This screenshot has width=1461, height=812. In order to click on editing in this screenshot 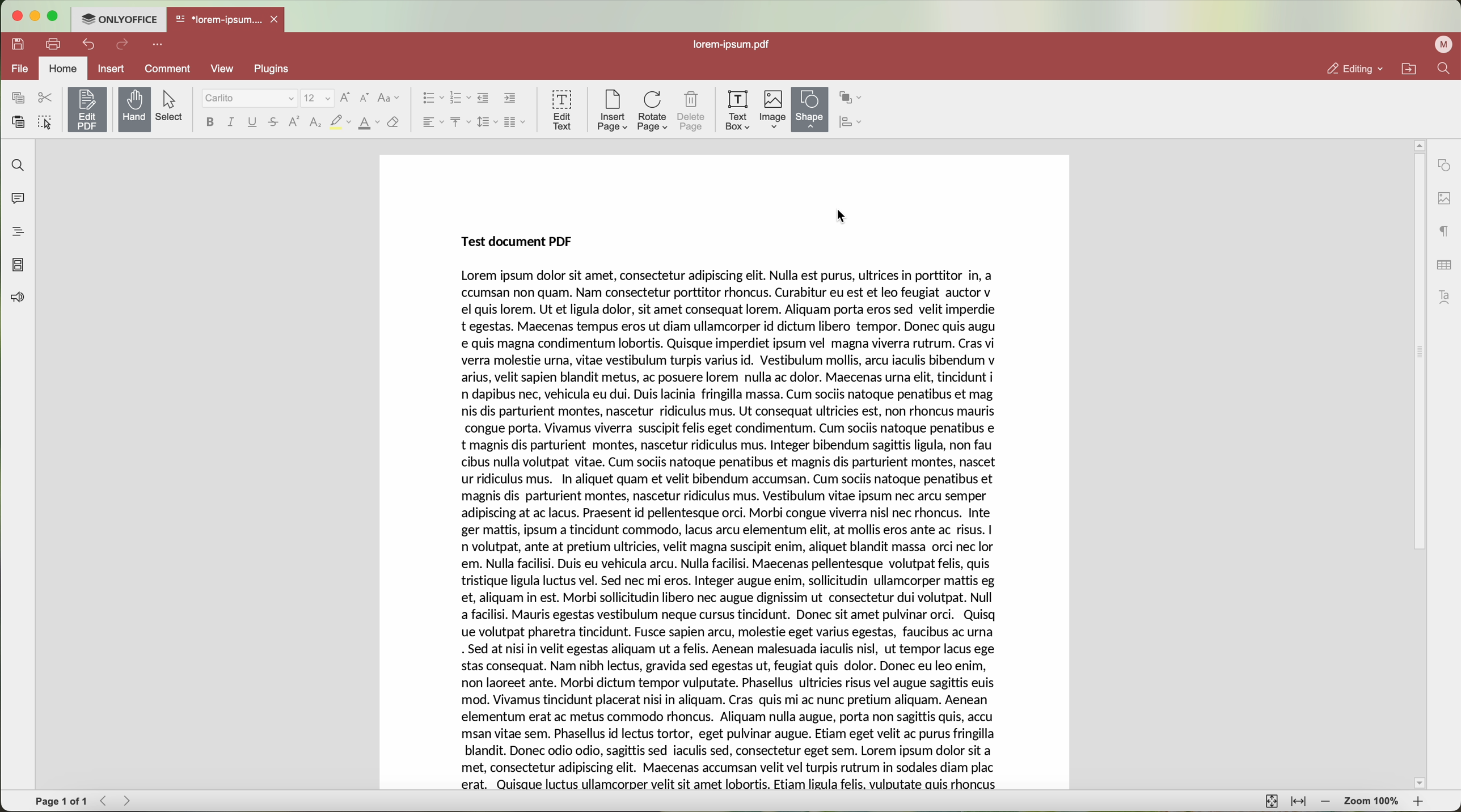, I will do `click(1355, 69)`.